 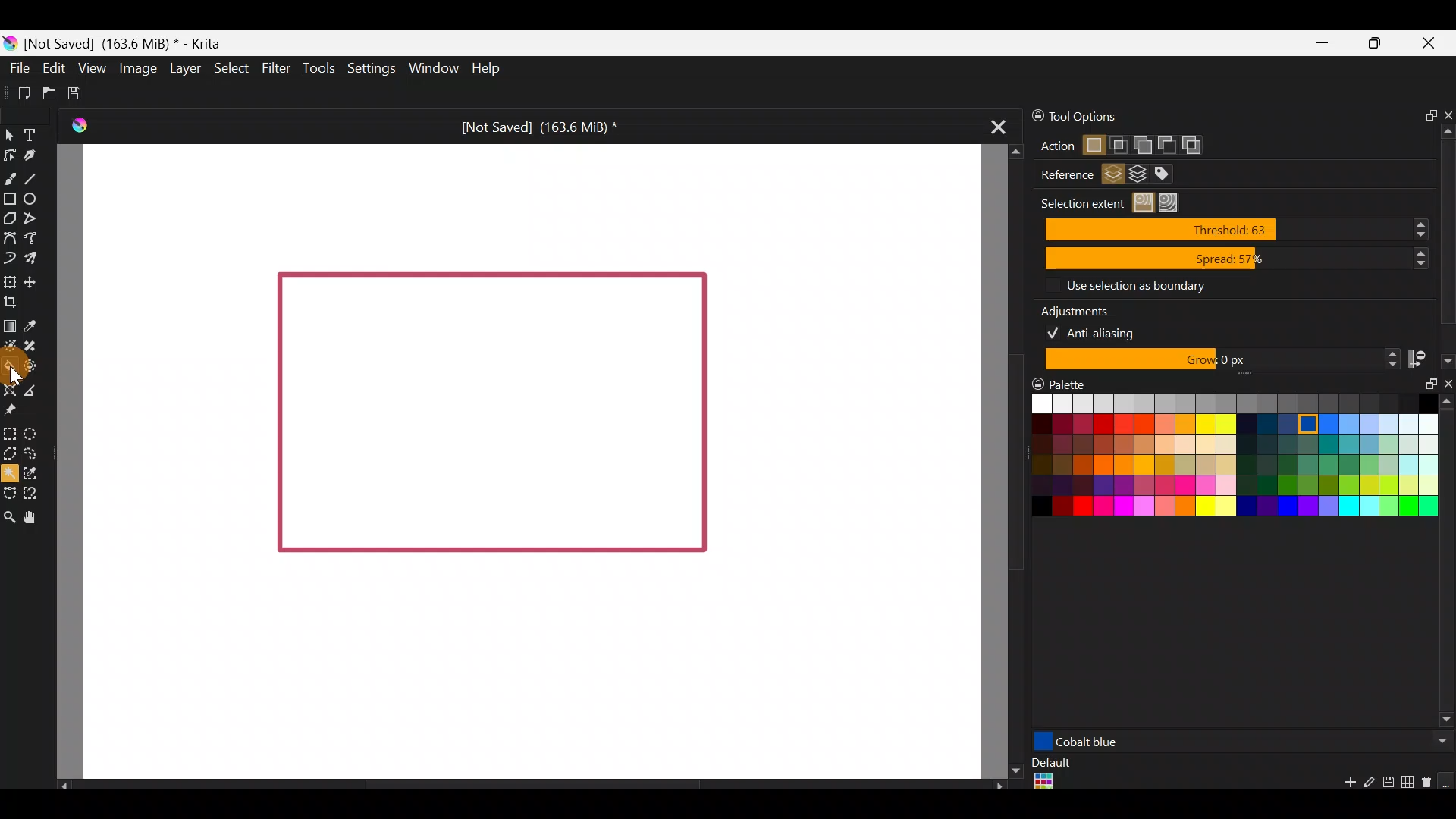 What do you see at coordinates (523, 784) in the screenshot?
I see `Scroll bar` at bounding box center [523, 784].